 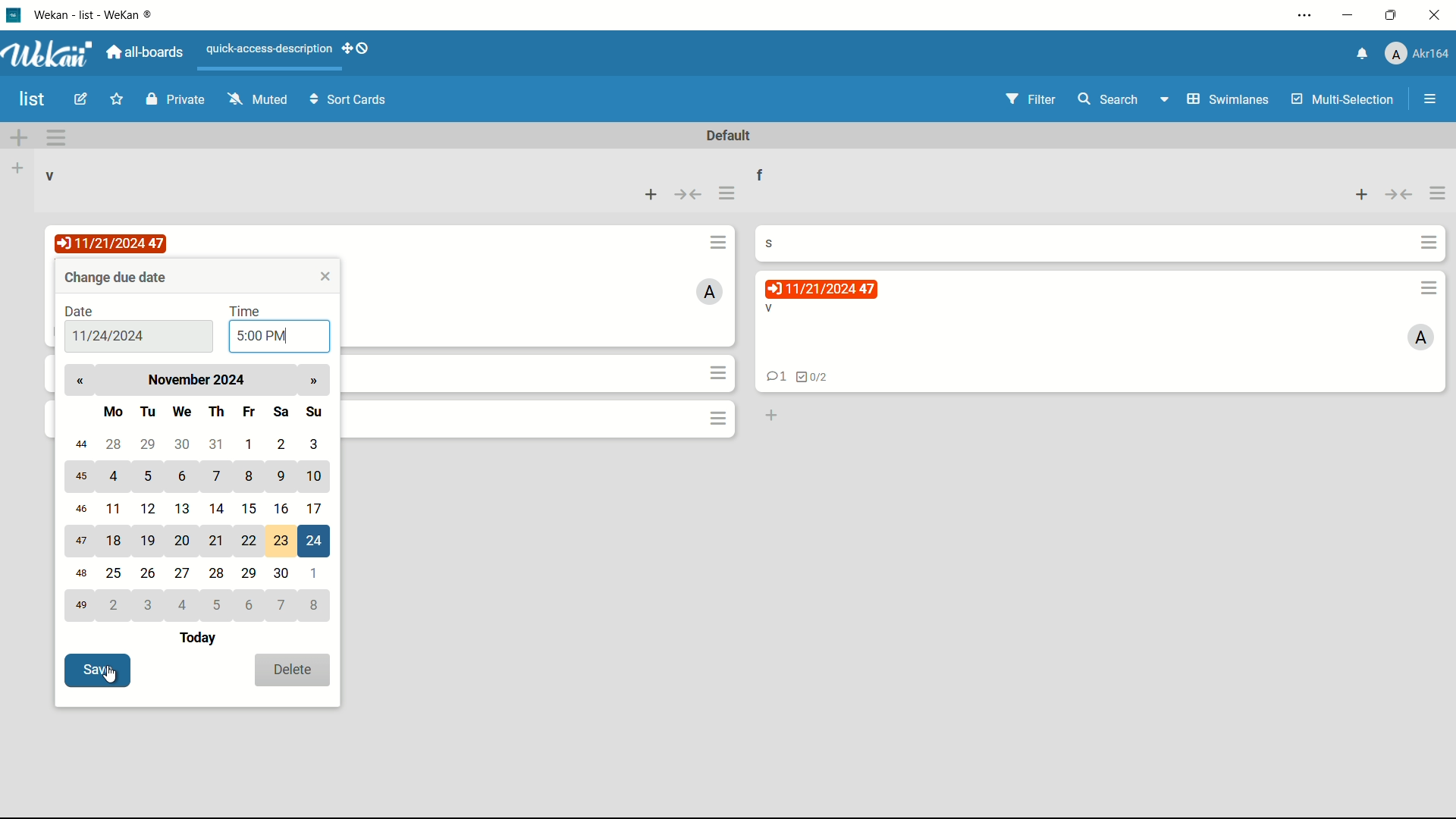 I want to click on 9, so click(x=279, y=475).